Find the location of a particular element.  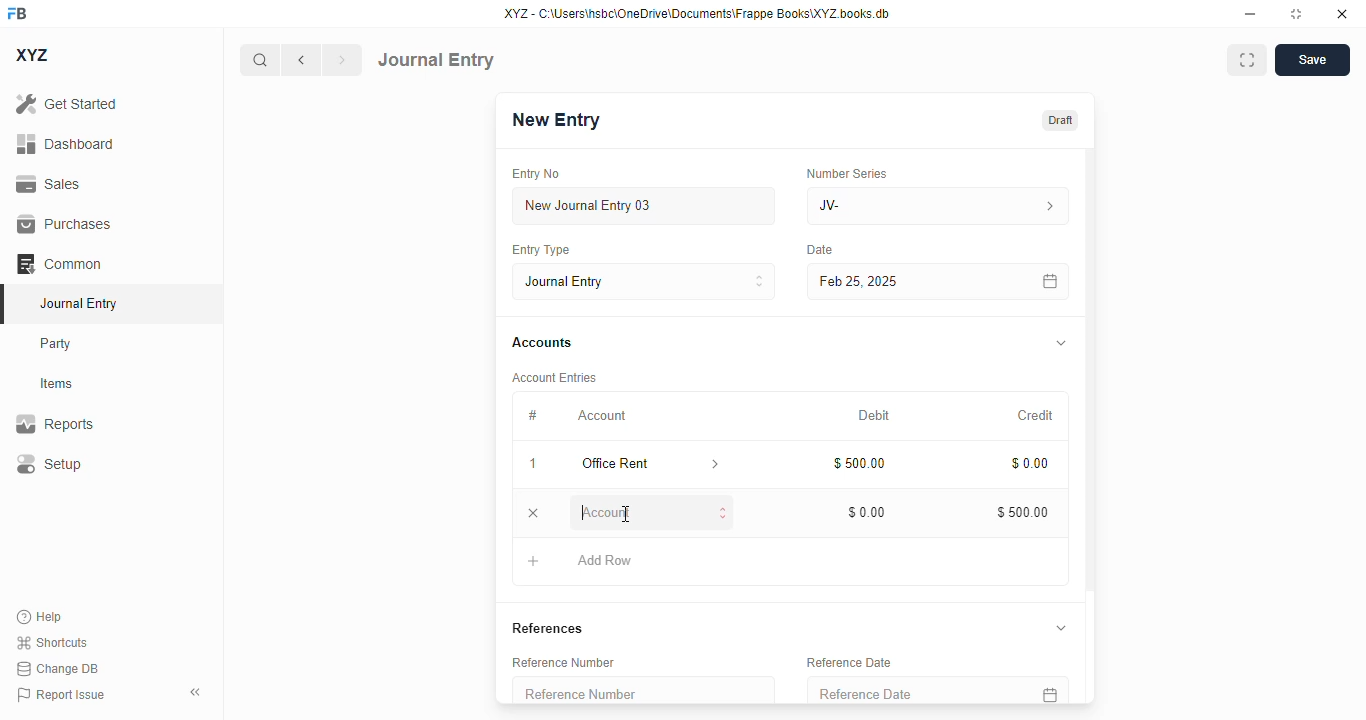

XYZ - C:\Users\hsbc\OneDrive\Documents\Frappe Books\XYZ books.db is located at coordinates (697, 13).